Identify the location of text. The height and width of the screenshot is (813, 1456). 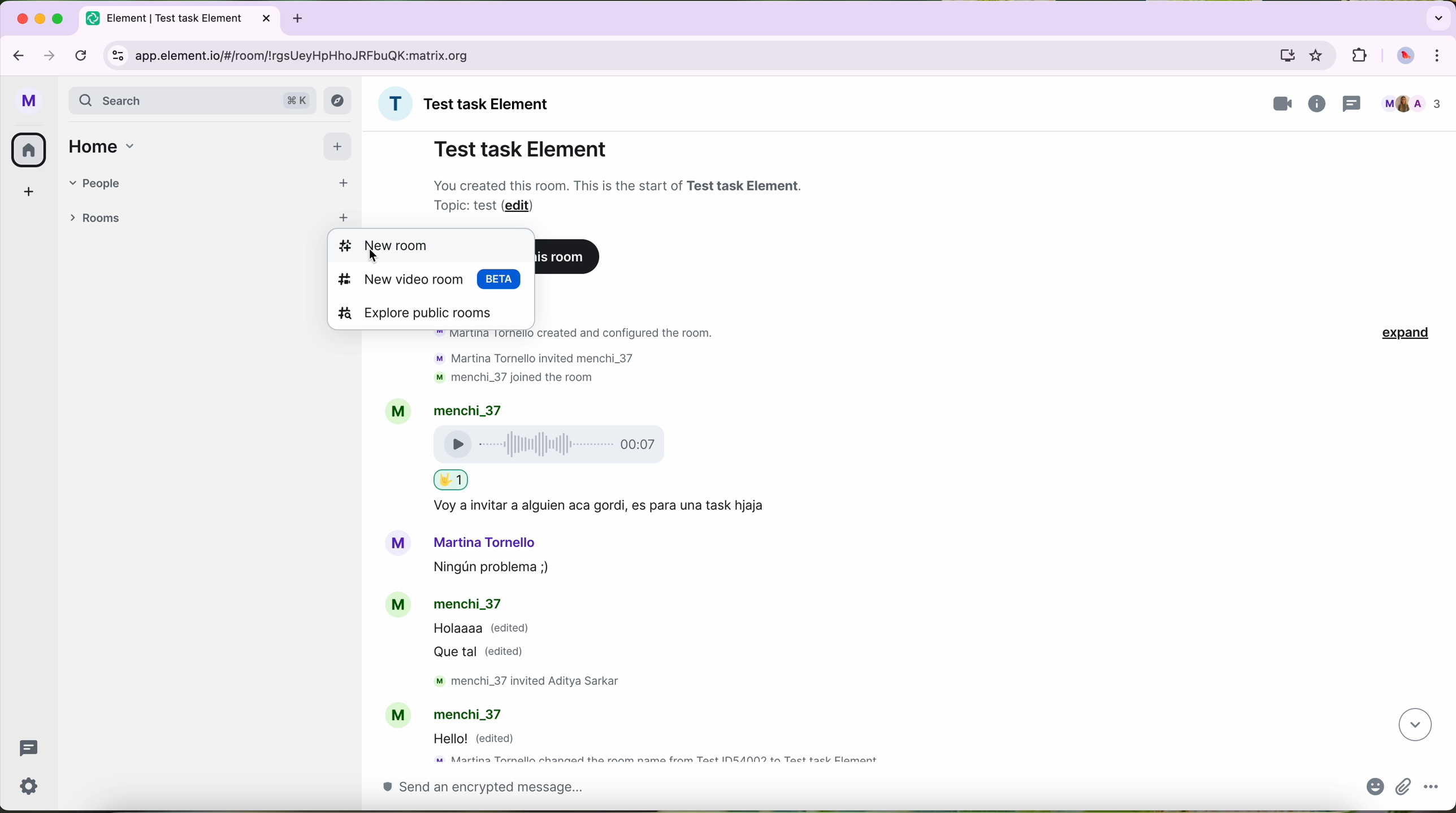
(527, 376).